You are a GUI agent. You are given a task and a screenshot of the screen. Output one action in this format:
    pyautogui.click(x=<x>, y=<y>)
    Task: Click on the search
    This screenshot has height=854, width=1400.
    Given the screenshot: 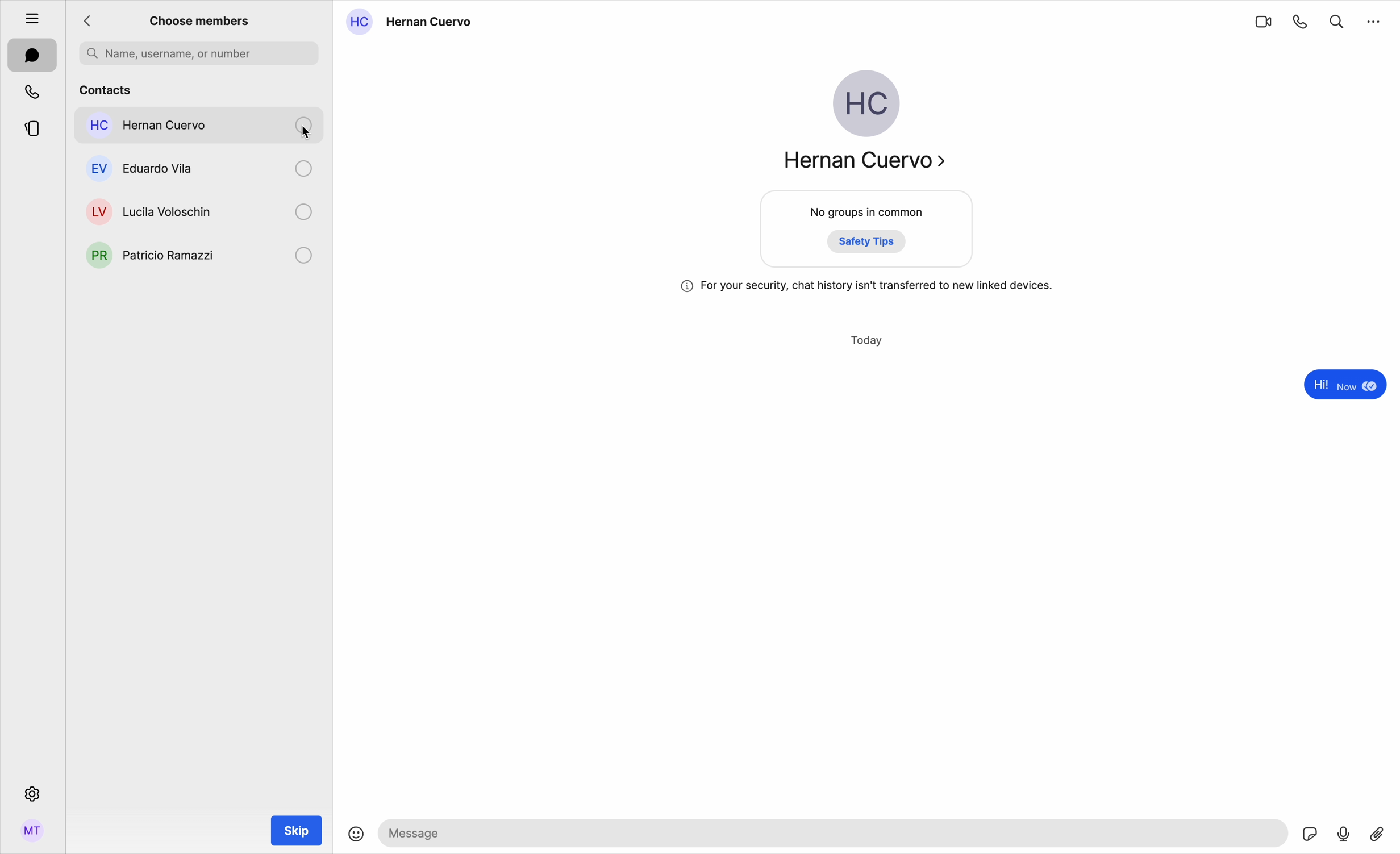 What is the action you would take?
    pyautogui.click(x=1337, y=19)
    